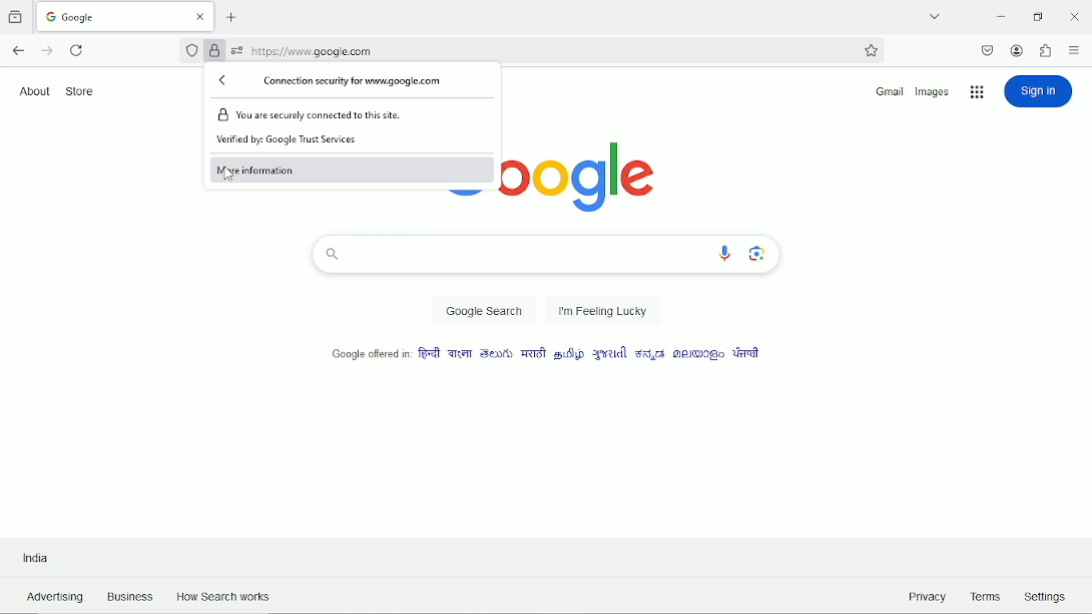 Image resolution: width=1092 pixels, height=614 pixels. Describe the element at coordinates (215, 48) in the screenshot. I see `Verified by Google Trust Services` at that location.